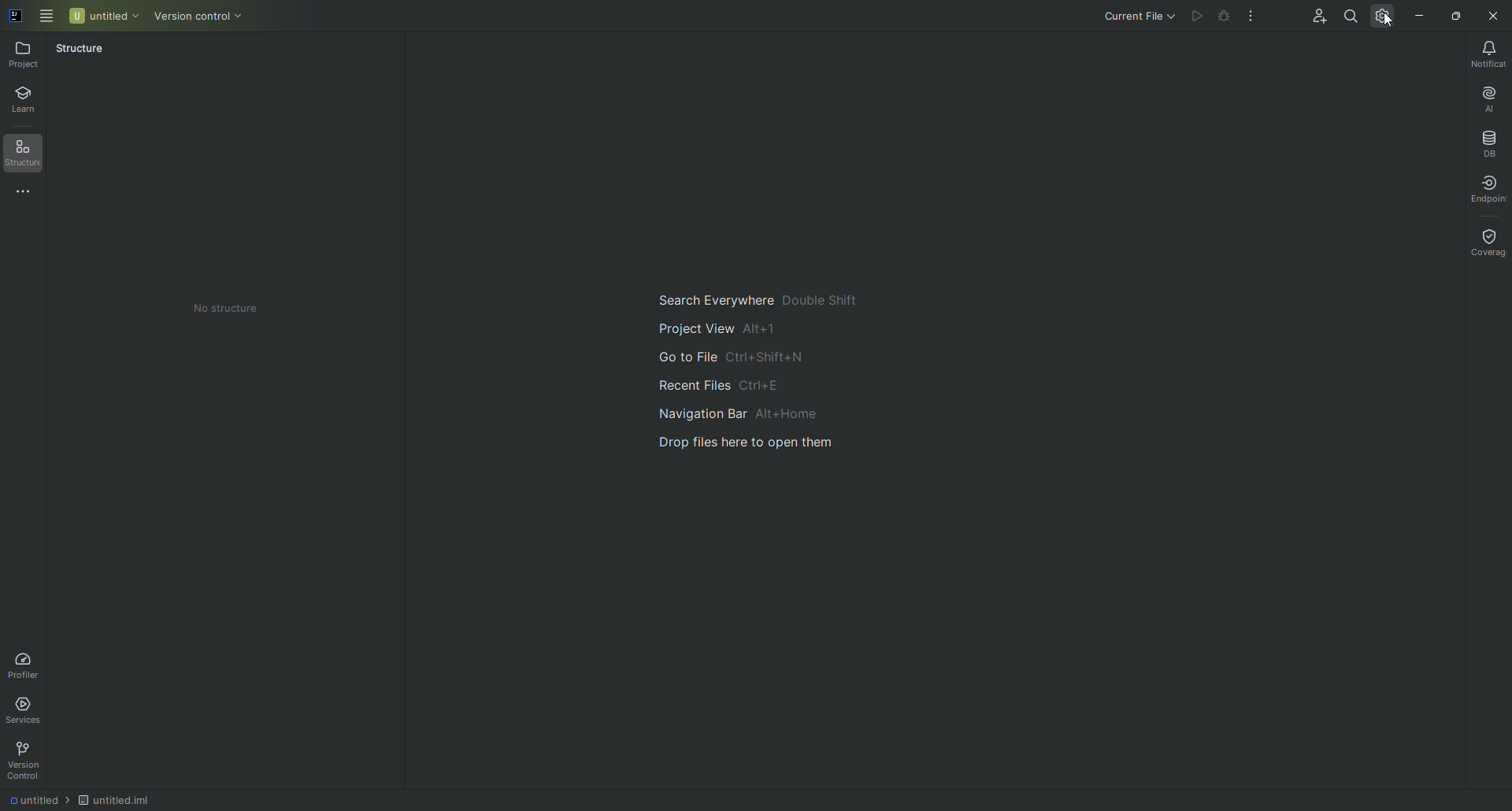  What do you see at coordinates (27, 663) in the screenshot?
I see `Profiler` at bounding box center [27, 663].